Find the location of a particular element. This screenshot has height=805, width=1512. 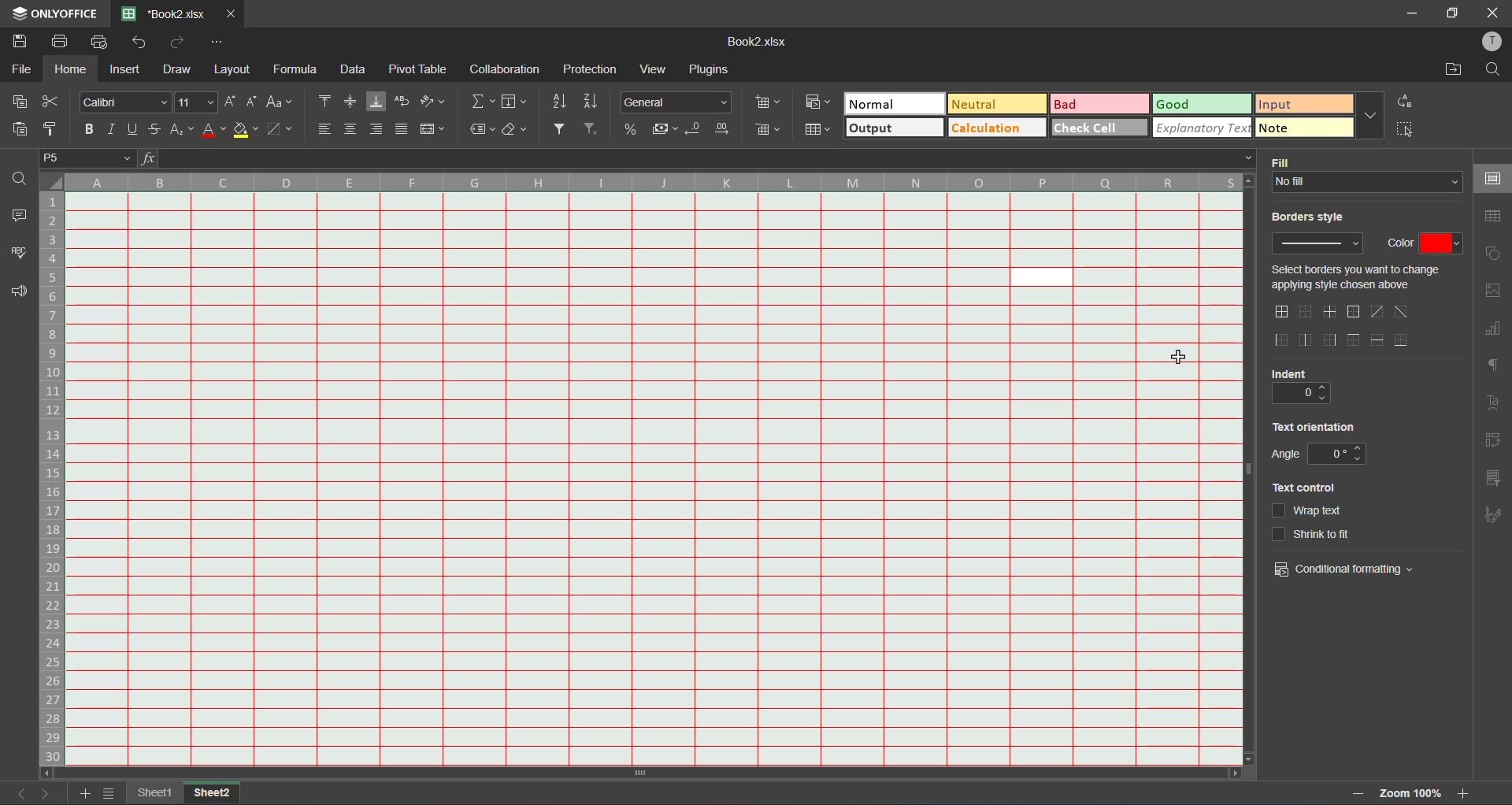

borders style is located at coordinates (1319, 212).